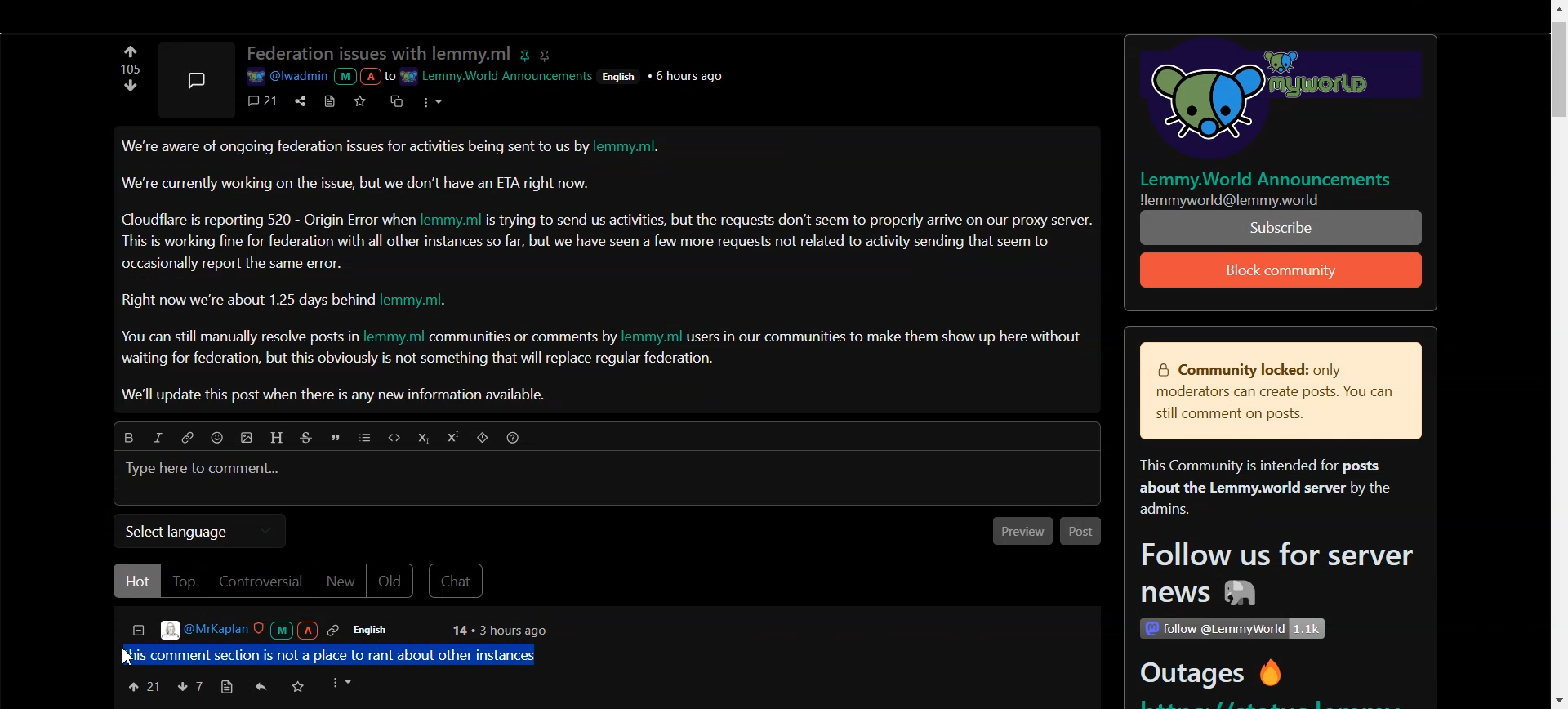  I want to click on Post, so click(1081, 532).